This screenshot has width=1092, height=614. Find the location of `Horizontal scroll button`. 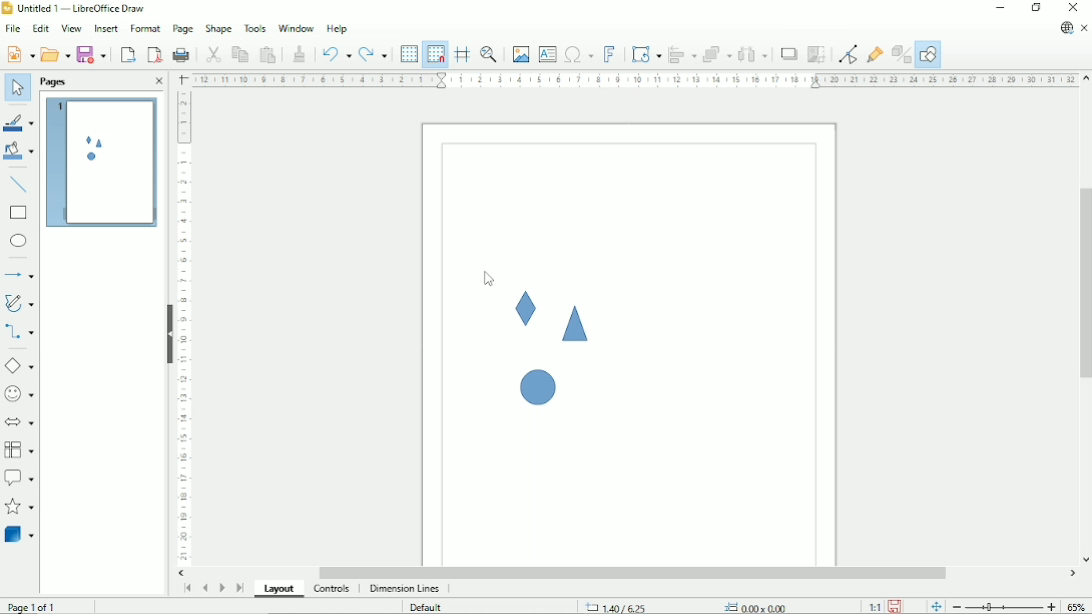

Horizontal scroll button is located at coordinates (1072, 575).